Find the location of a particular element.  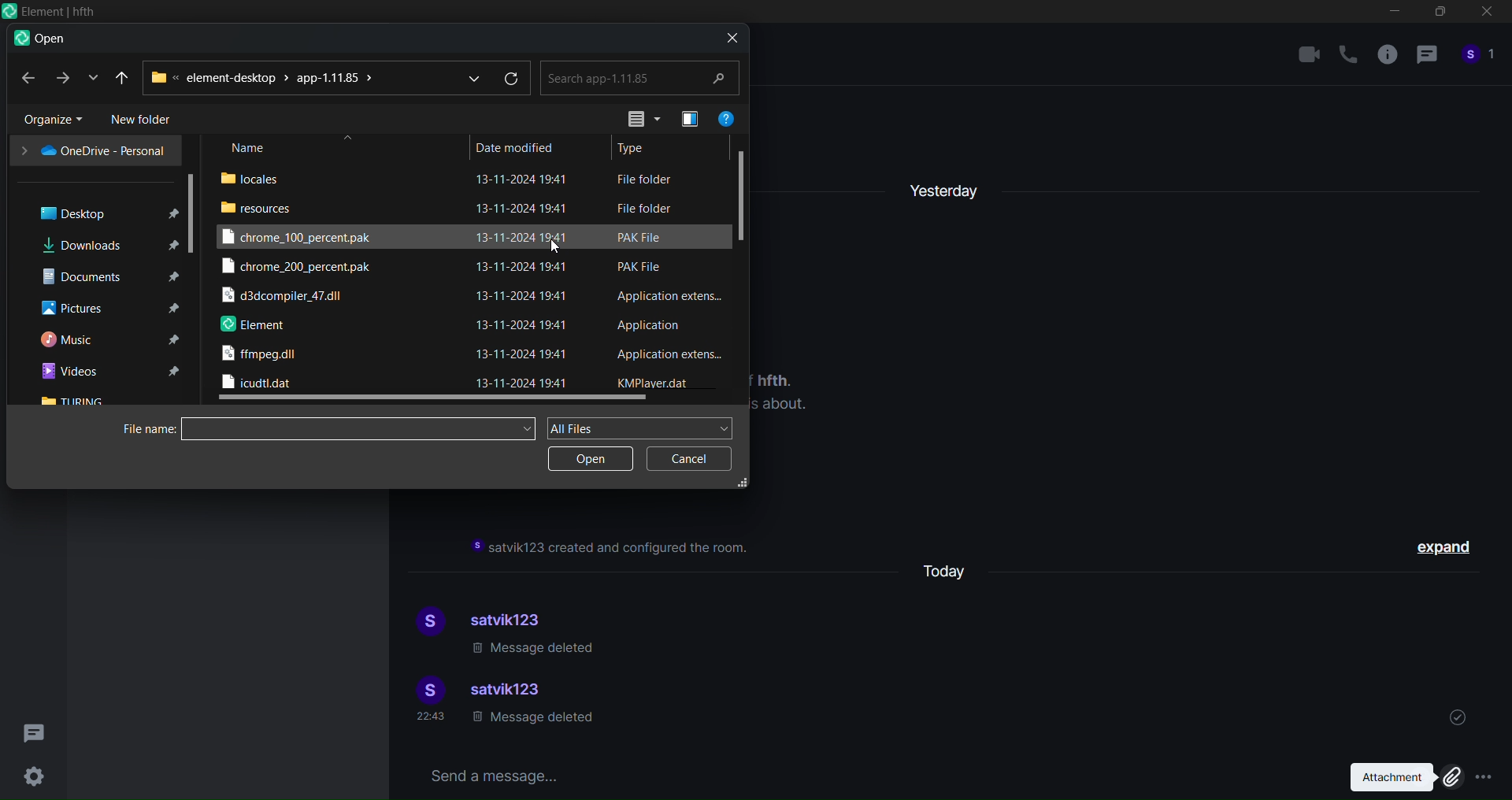

call is located at coordinates (1348, 55).